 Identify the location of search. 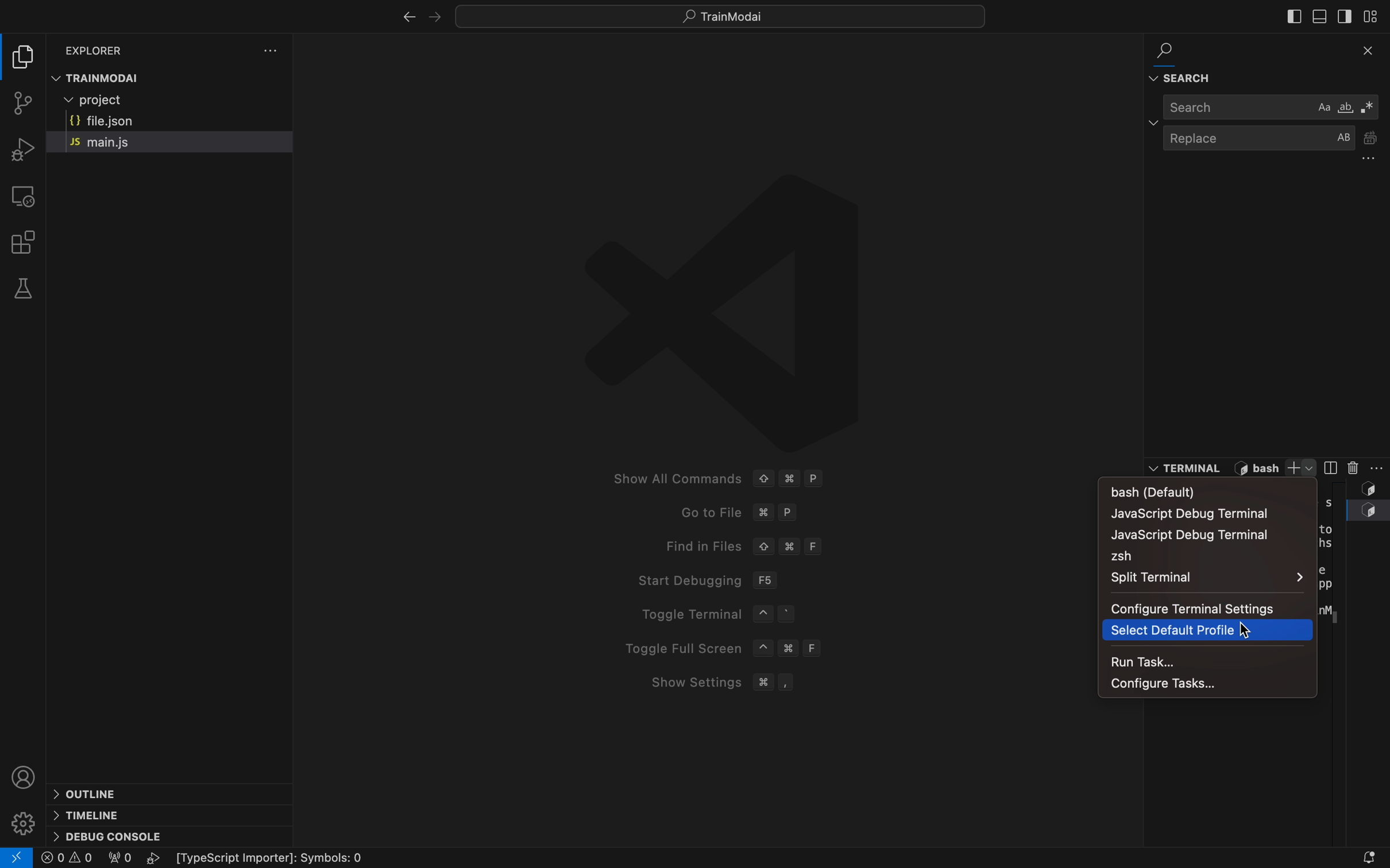
(1257, 110).